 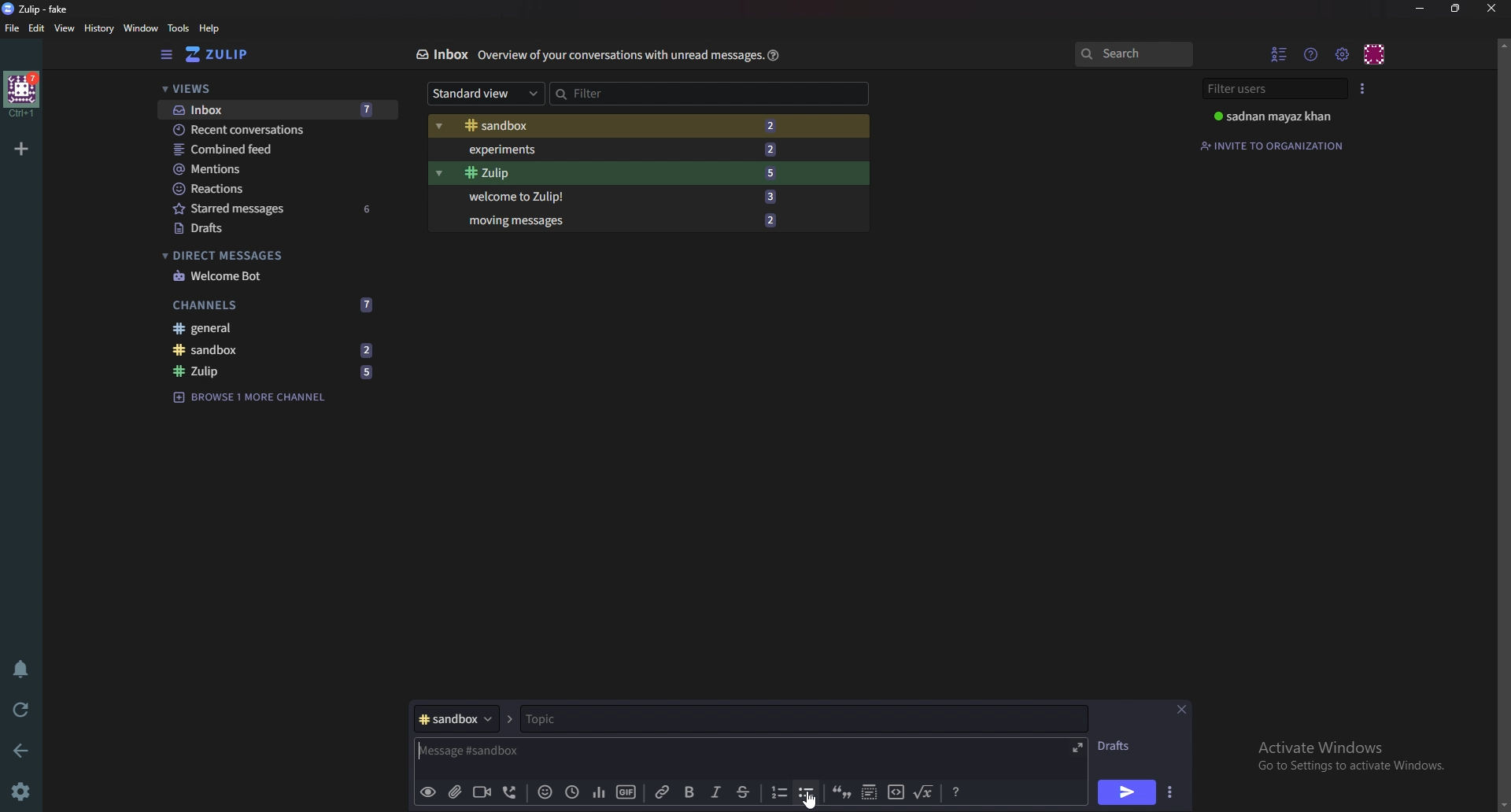 What do you see at coordinates (774, 54) in the screenshot?
I see `Help` at bounding box center [774, 54].